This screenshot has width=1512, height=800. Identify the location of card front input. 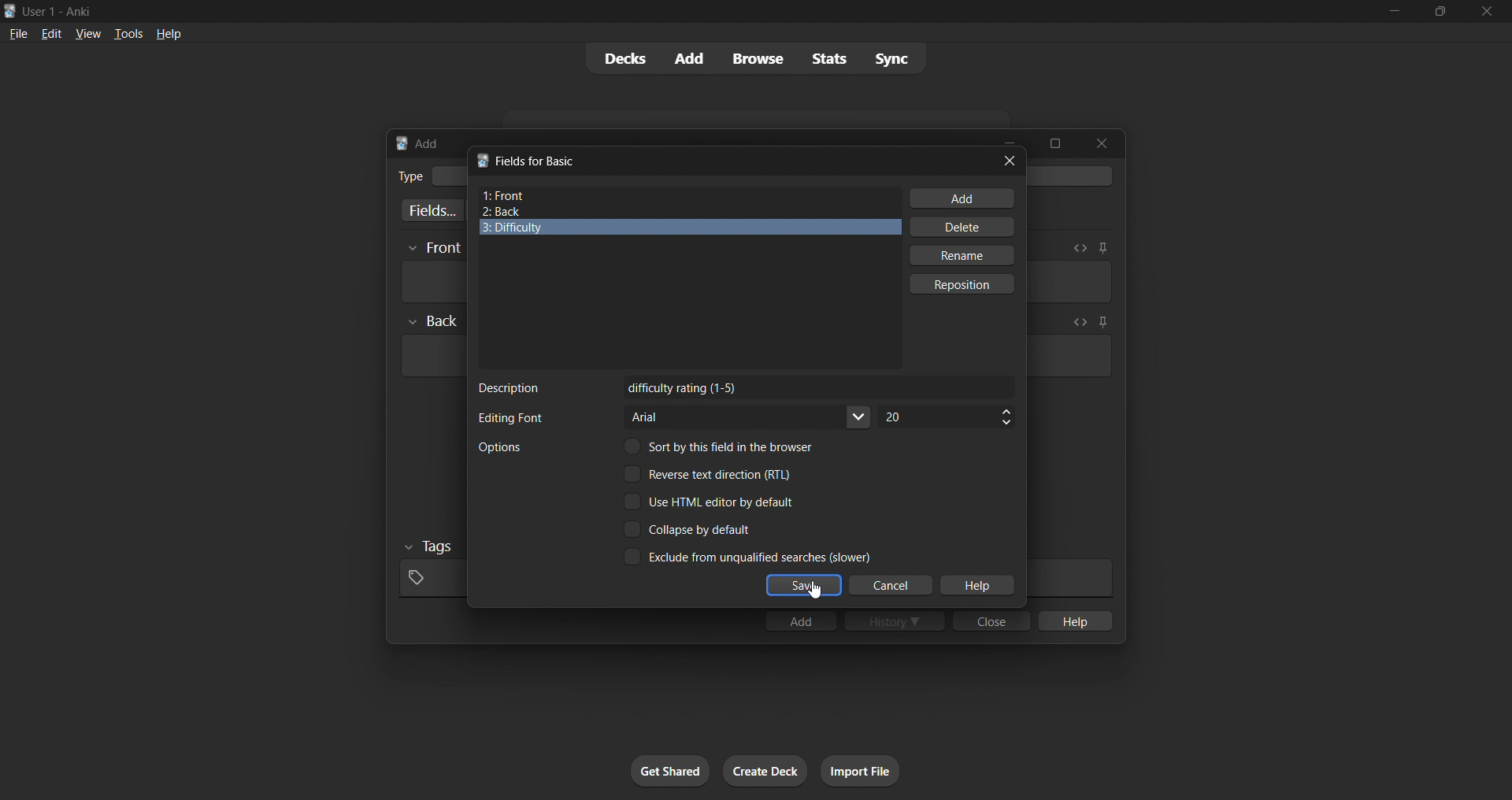
(432, 282).